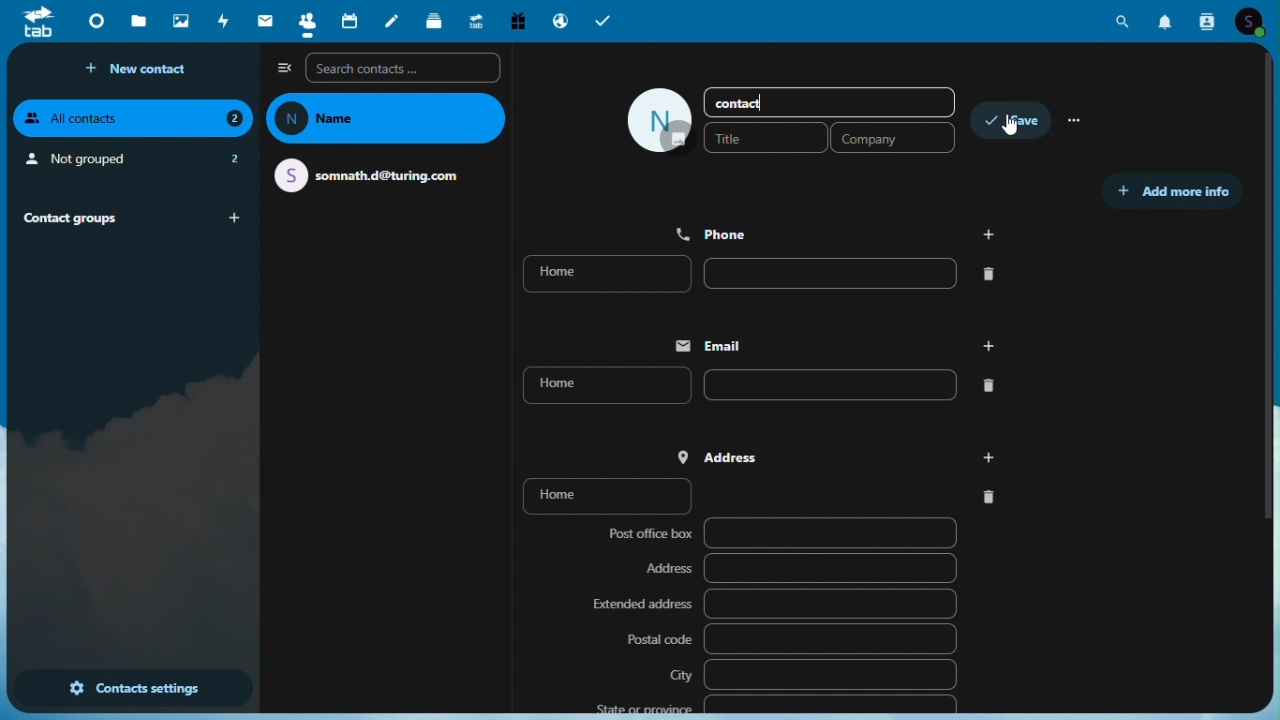 The image size is (1280, 720). What do you see at coordinates (138, 24) in the screenshot?
I see `Files` at bounding box center [138, 24].